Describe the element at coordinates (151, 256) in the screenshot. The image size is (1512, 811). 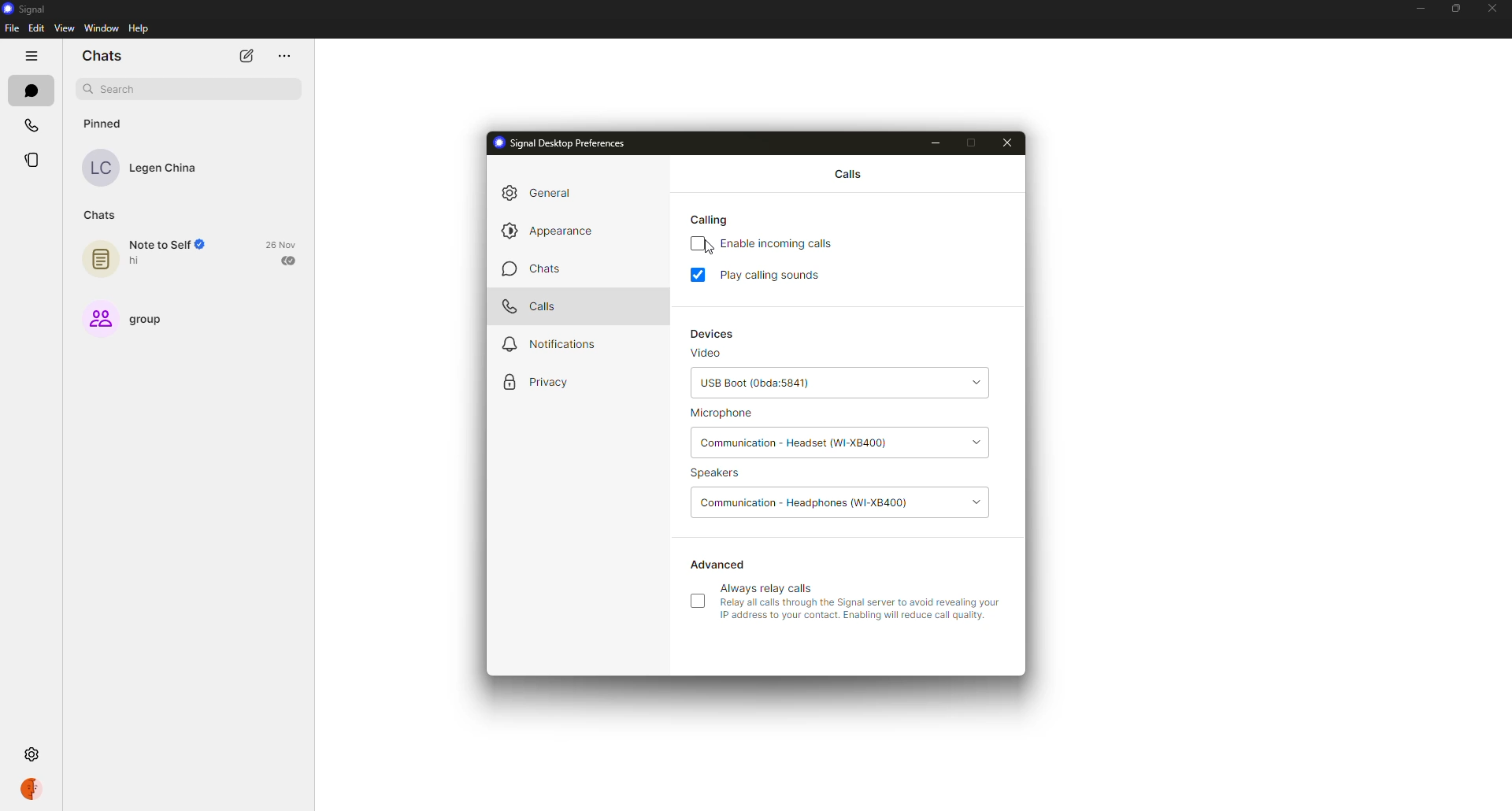
I see `note to self` at that location.